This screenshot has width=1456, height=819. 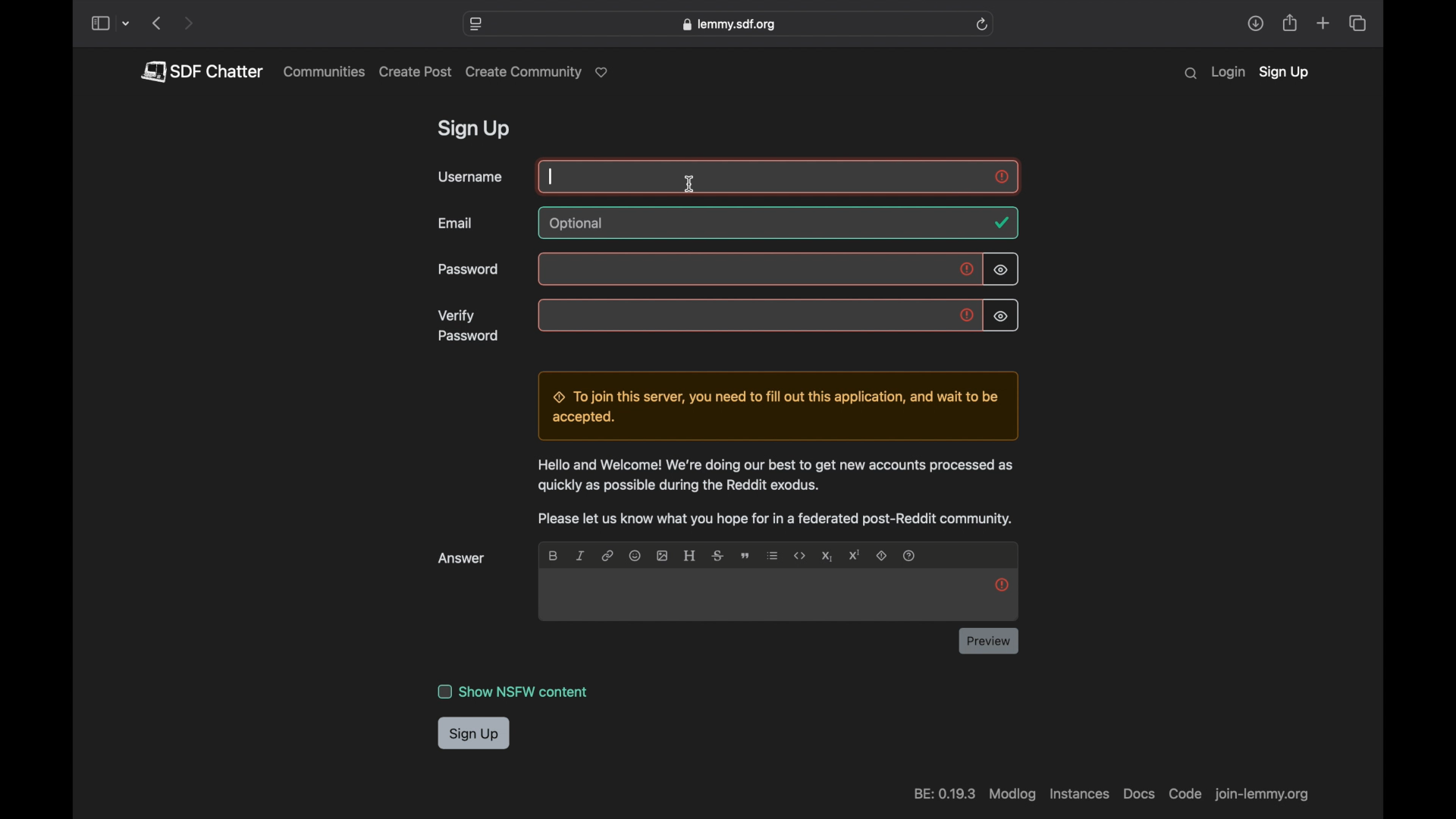 I want to click on show tab overview, so click(x=1357, y=24).